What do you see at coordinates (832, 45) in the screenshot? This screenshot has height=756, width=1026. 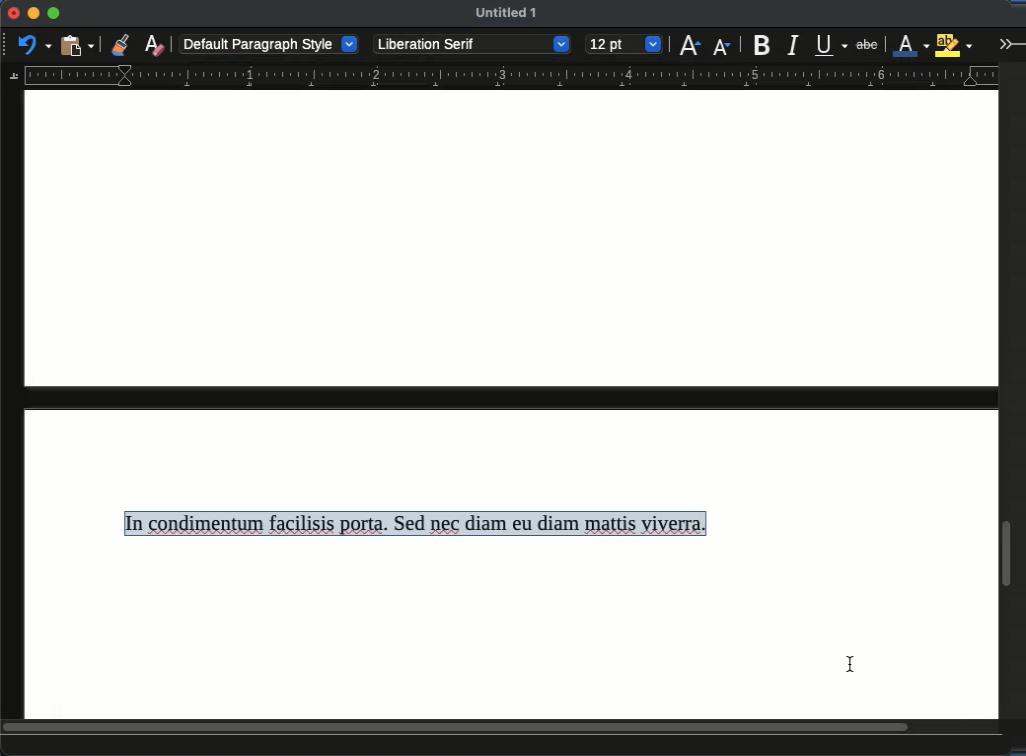 I see `underline ` at bounding box center [832, 45].